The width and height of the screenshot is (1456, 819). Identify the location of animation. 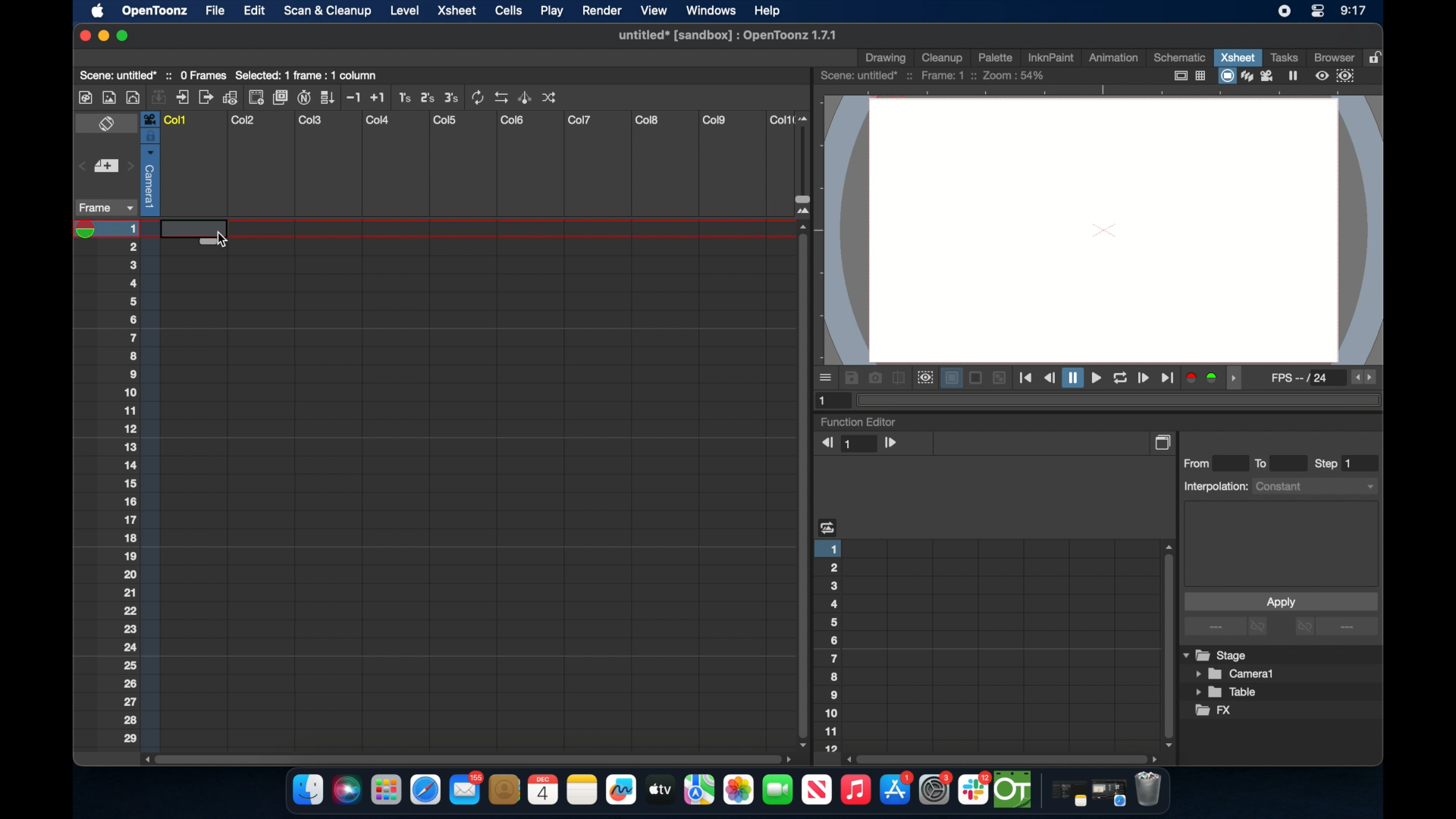
(1114, 58).